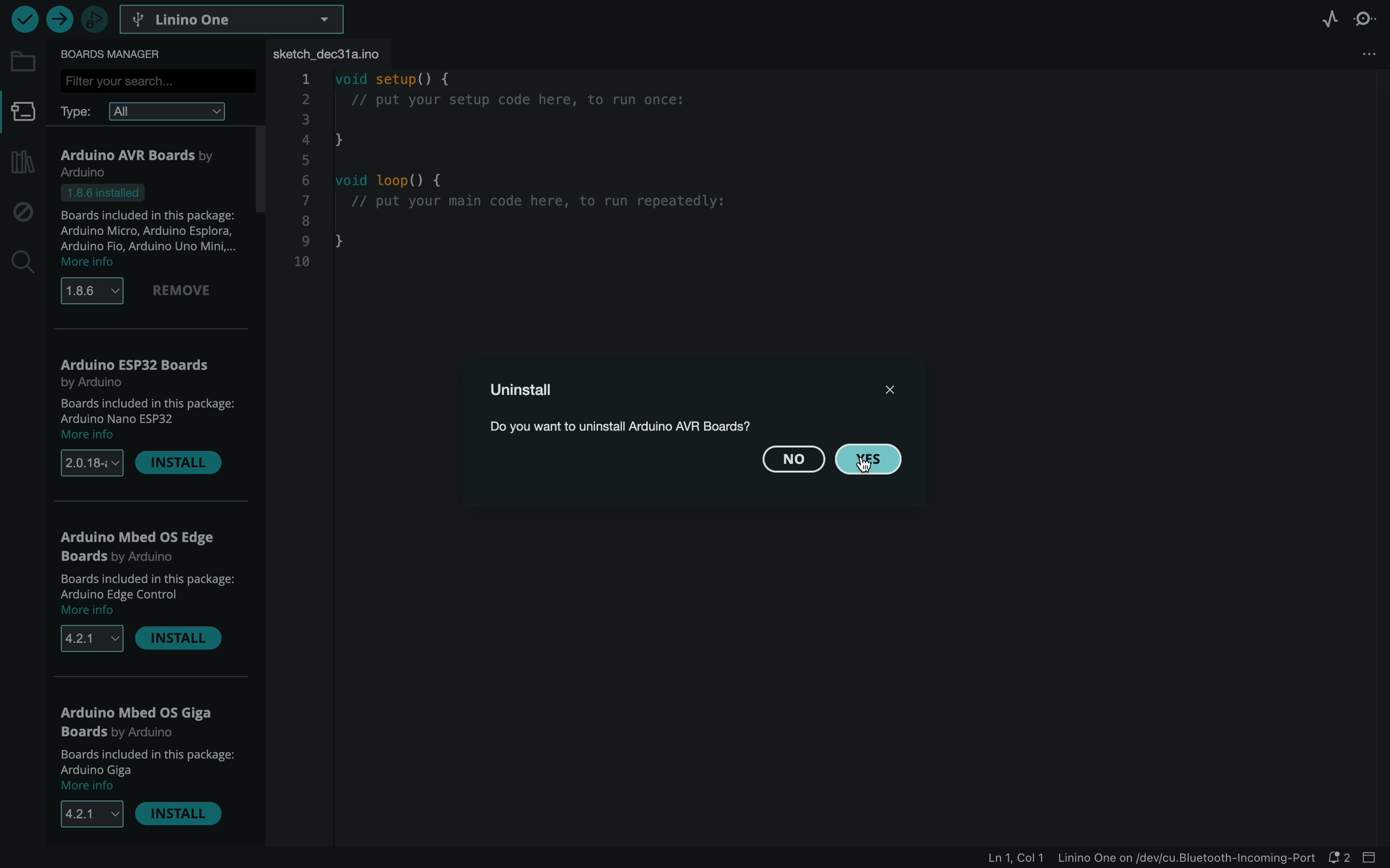 The width and height of the screenshot is (1390, 868). Describe the element at coordinates (88, 641) in the screenshot. I see `versions` at that location.